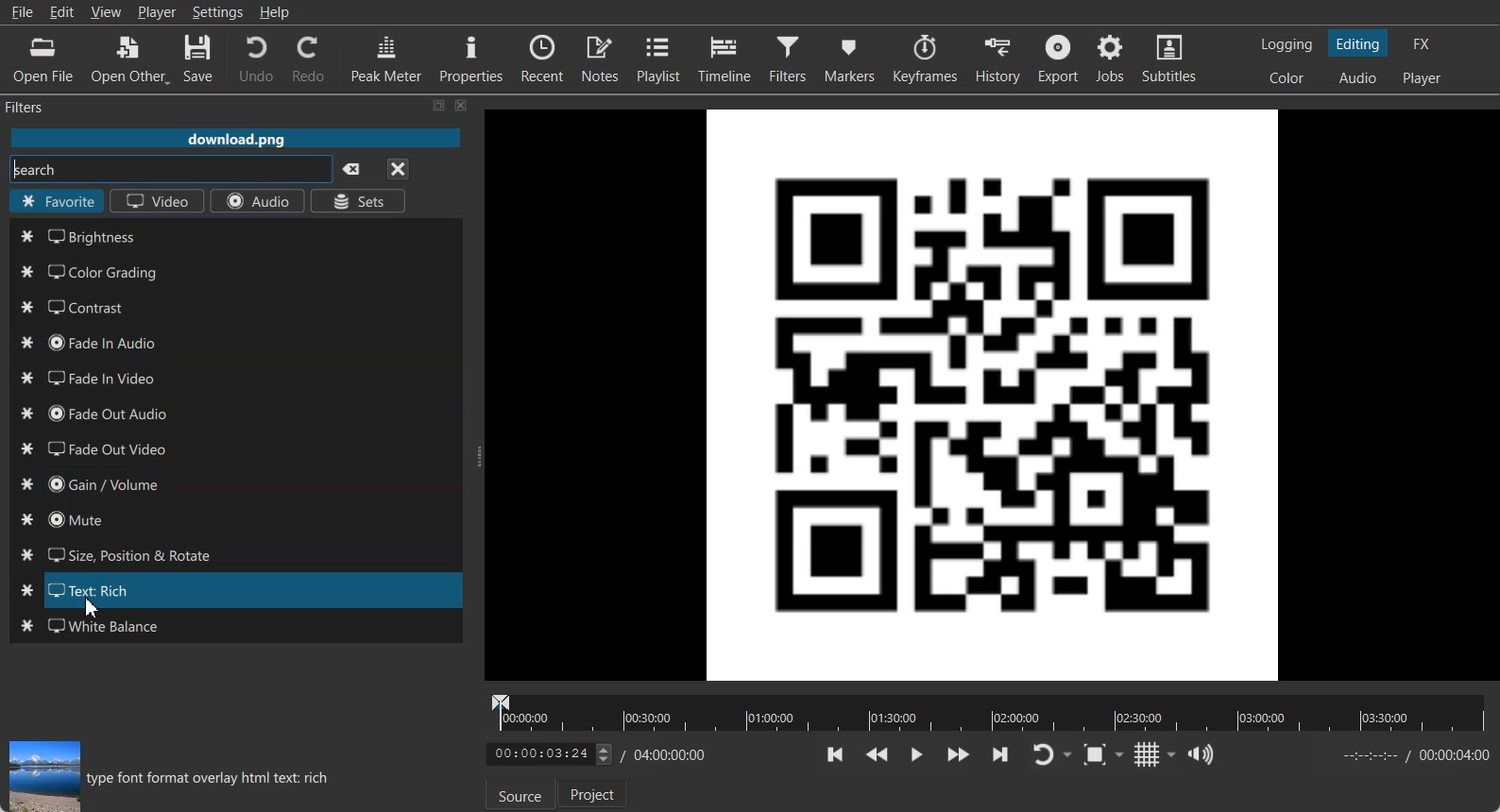 The width and height of the screenshot is (1500, 812). I want to click on Switching to the Audio layout, so click(1359, 78).